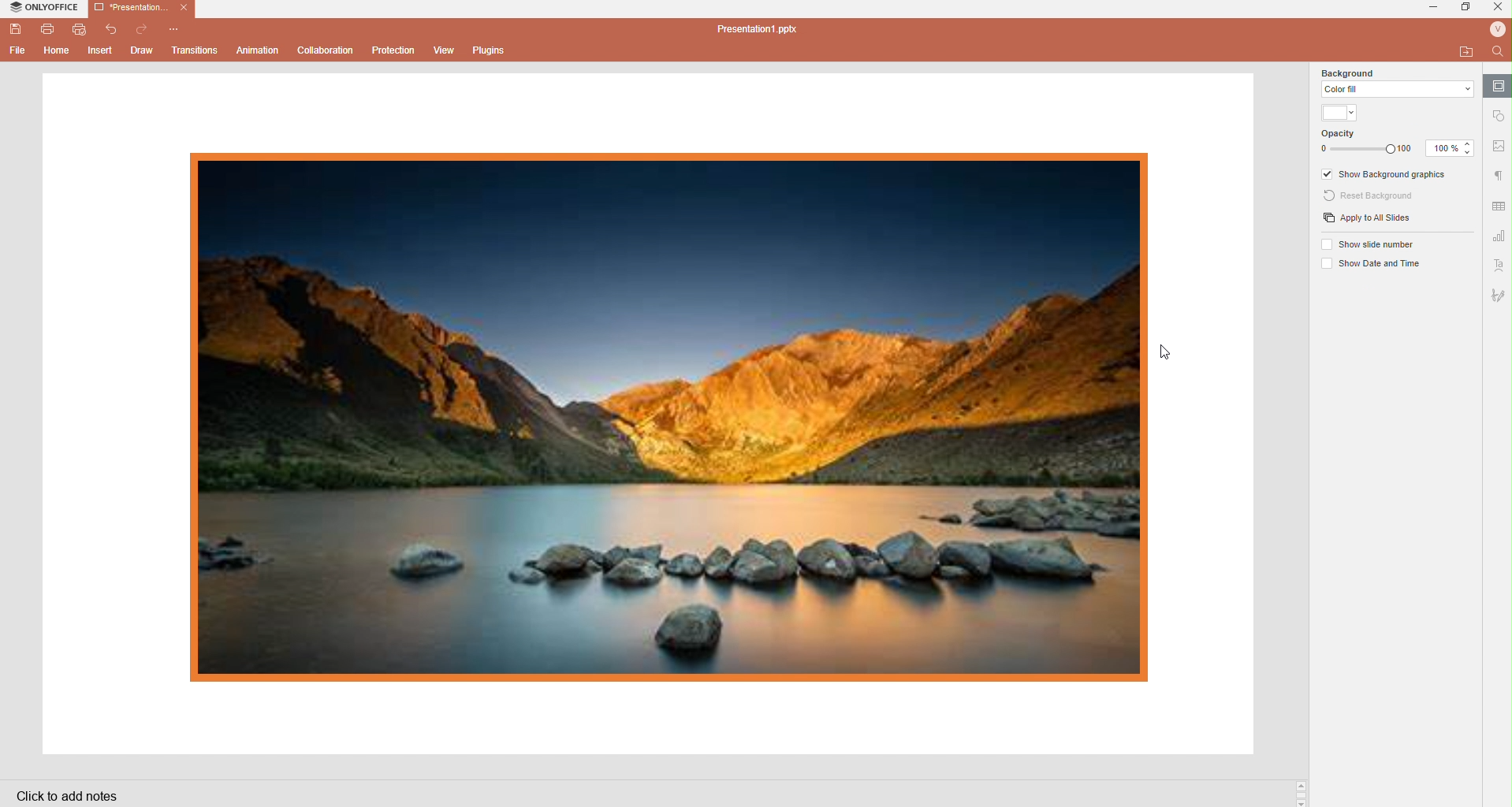 Image resolution: width=1512 pixels, height=807 pixels. I want to click on Numbers settings, so click(1499, 235).